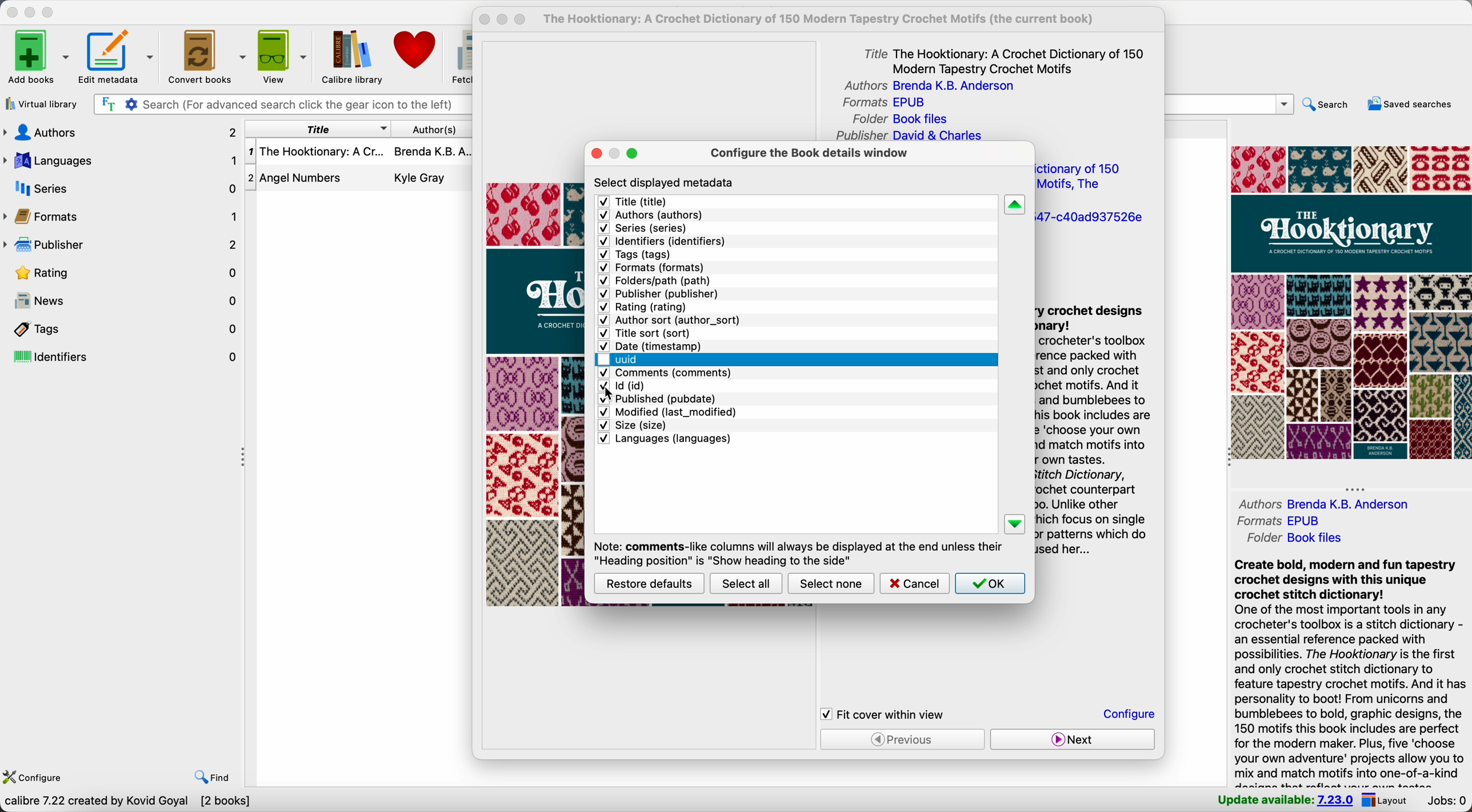 The width and height of the screenshot is (1472, 812). Describe the element at coordinates (650, 215) in the screenshot. I see `authors` at that location.